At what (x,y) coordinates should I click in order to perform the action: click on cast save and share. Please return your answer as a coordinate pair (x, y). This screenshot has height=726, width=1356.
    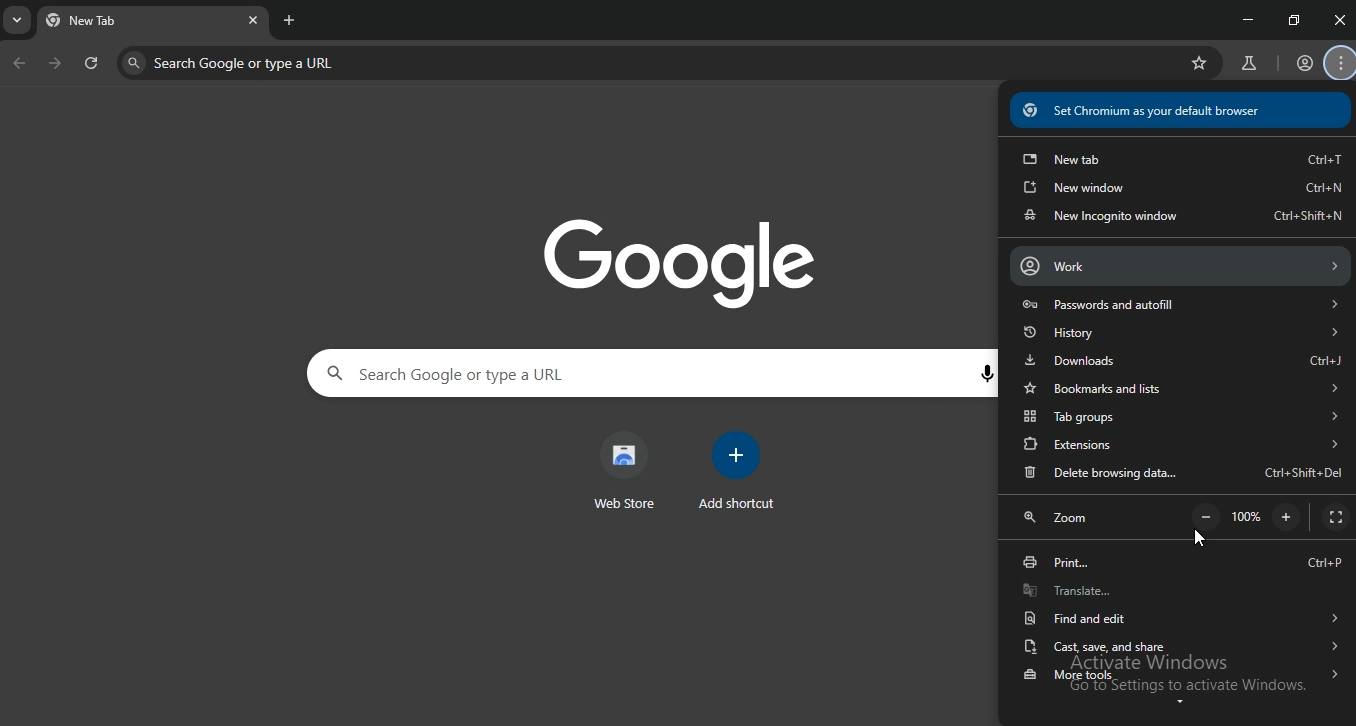
    Looking at the image, I should click on (1183, 647).